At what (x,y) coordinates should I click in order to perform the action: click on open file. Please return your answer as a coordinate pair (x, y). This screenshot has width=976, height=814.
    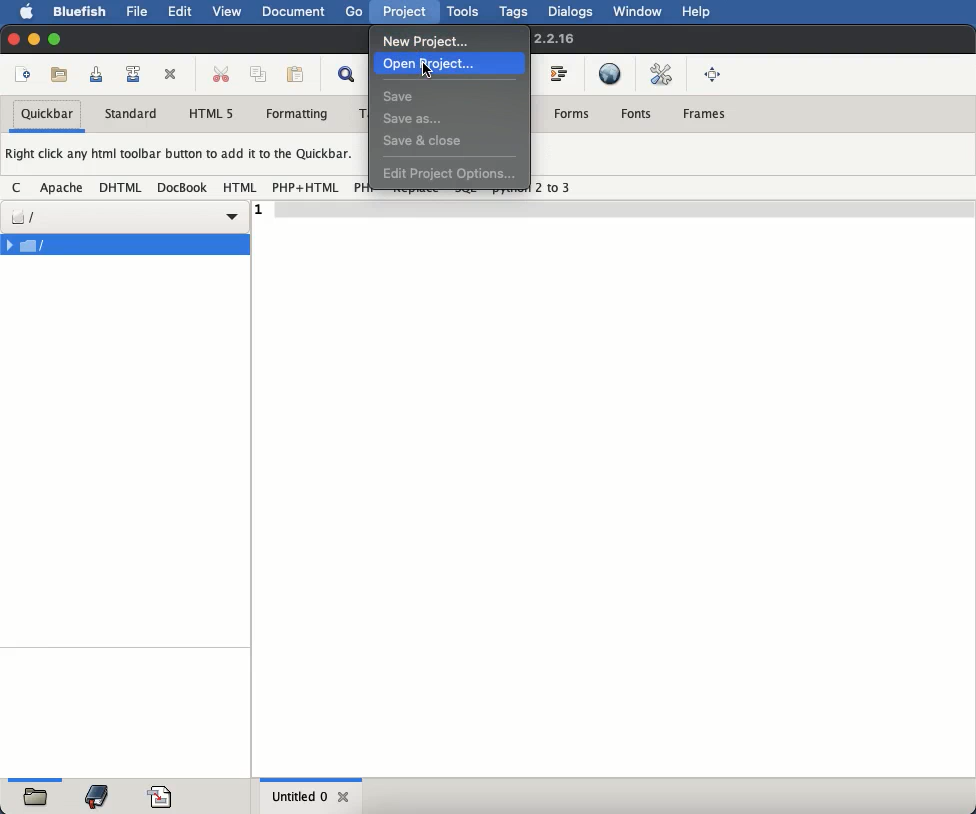
    Looking at the image, I should click on (62, 75).